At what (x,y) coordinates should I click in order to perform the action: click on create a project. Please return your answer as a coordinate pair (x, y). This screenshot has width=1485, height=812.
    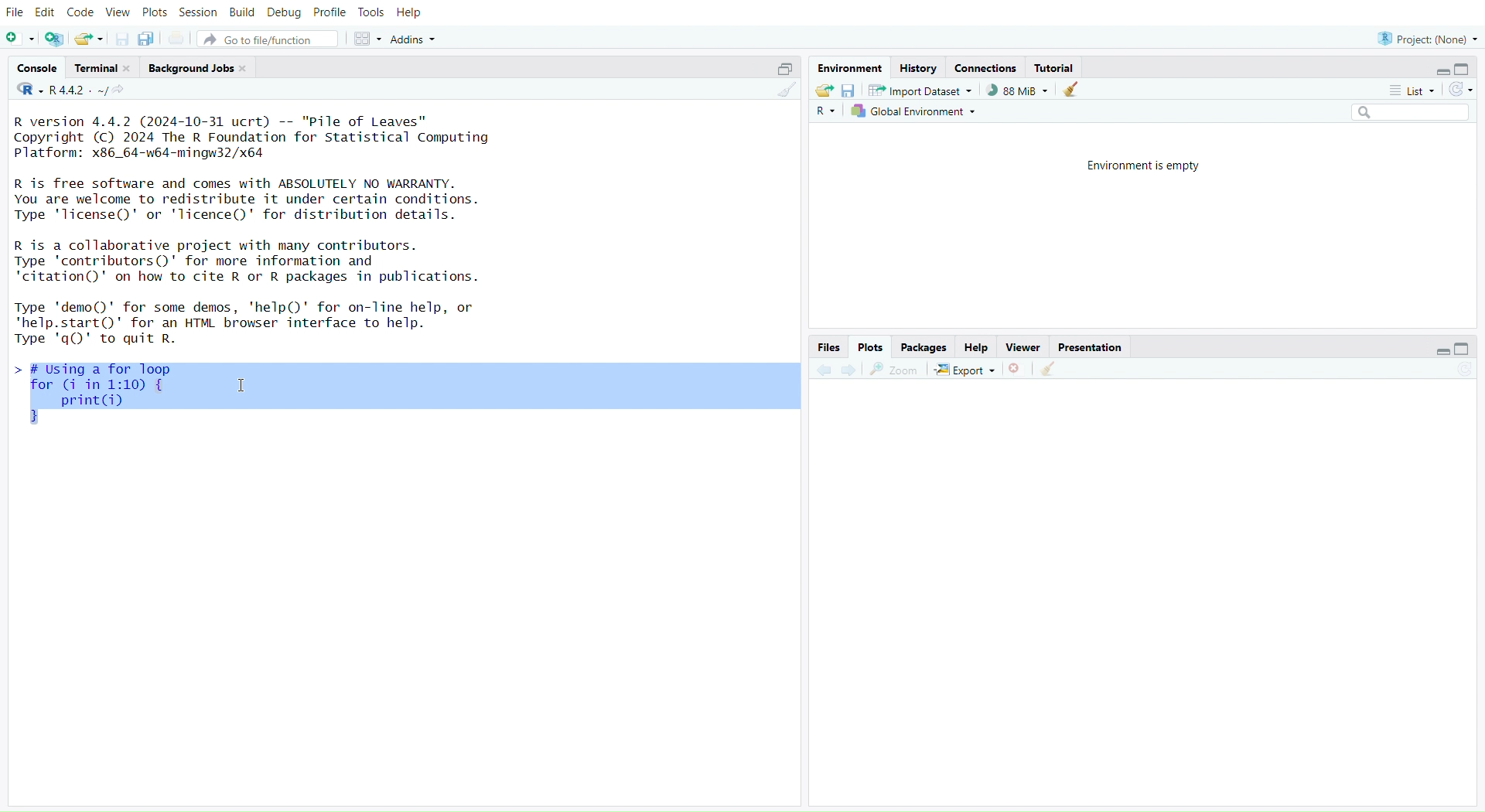
    Looking at the image, I should click on (54, 39).